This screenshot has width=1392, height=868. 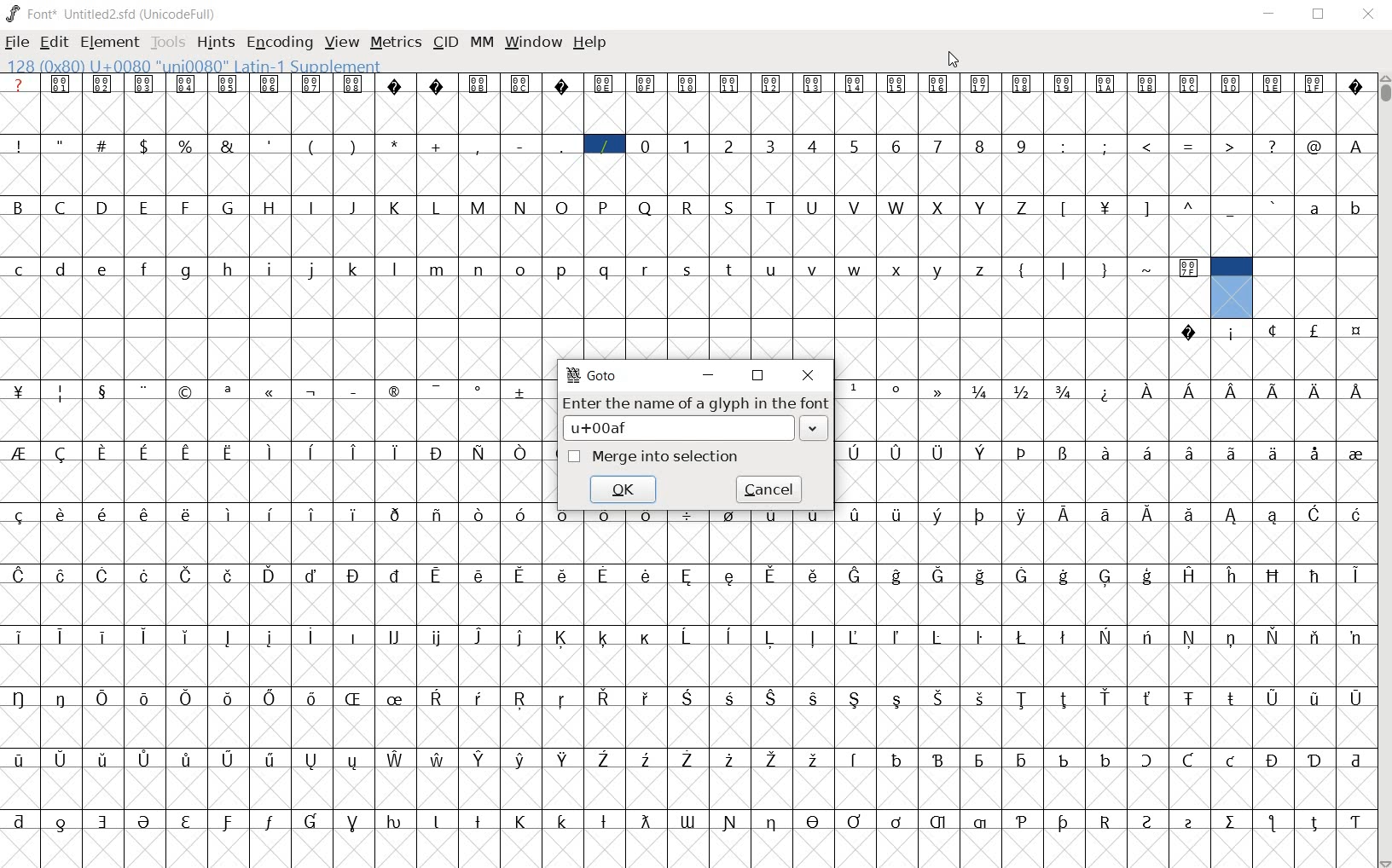 What do you see at coordinates (815, 147) in the screenshot?
I see `4` at bounding box center [815, 147].